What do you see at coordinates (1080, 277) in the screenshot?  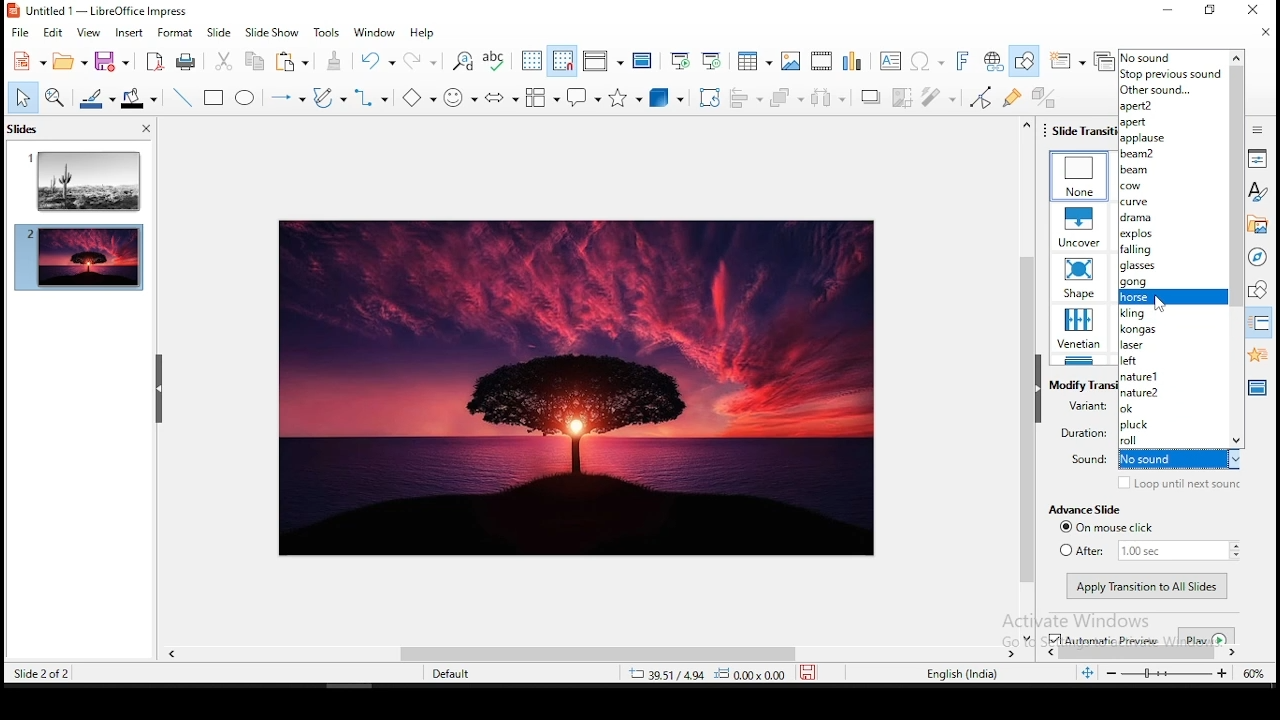 I see `transition effects` at bounding box center [1080, 277].